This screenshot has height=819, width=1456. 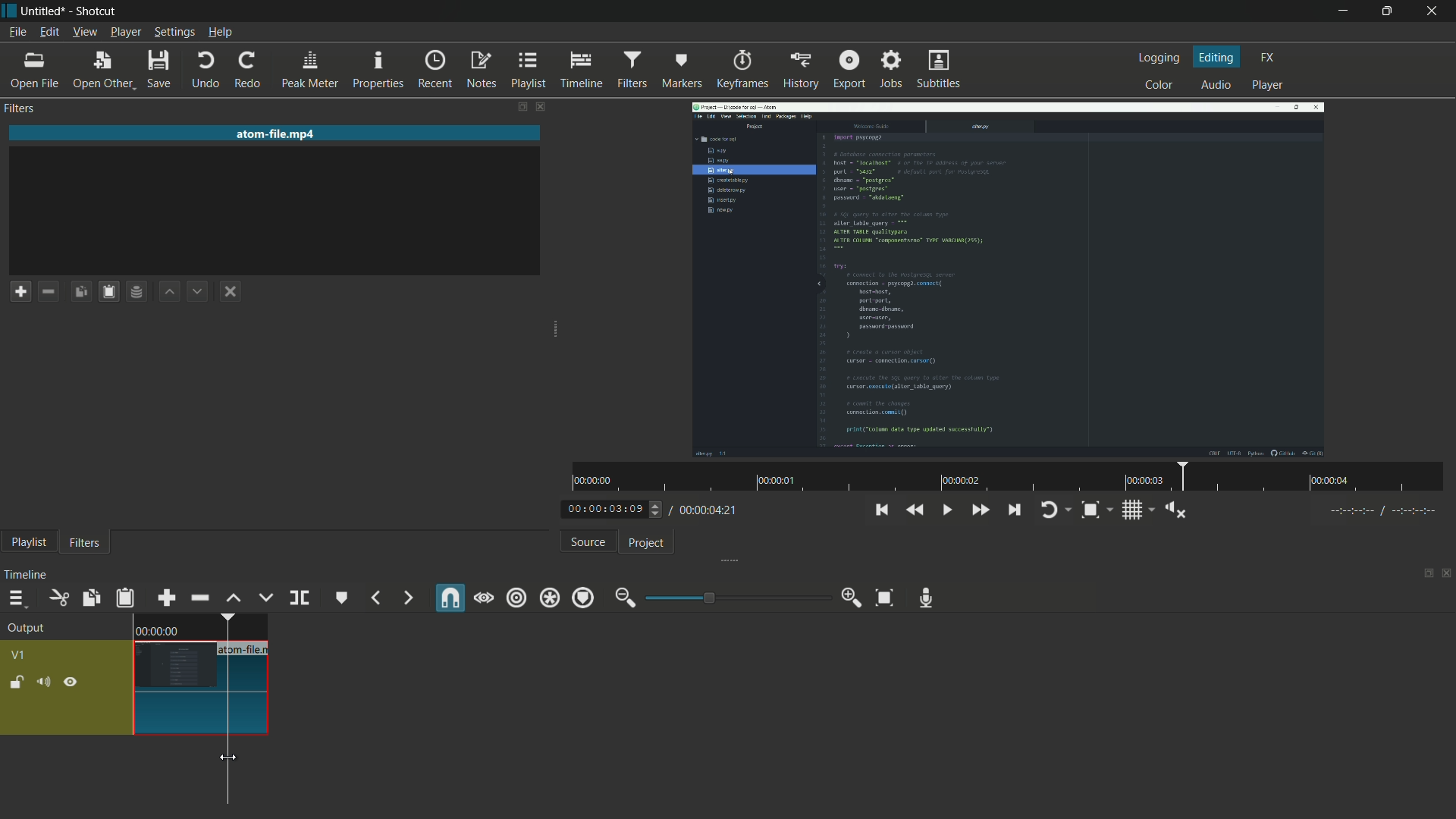 I want to click on record audio, so click(x=925, y=598).